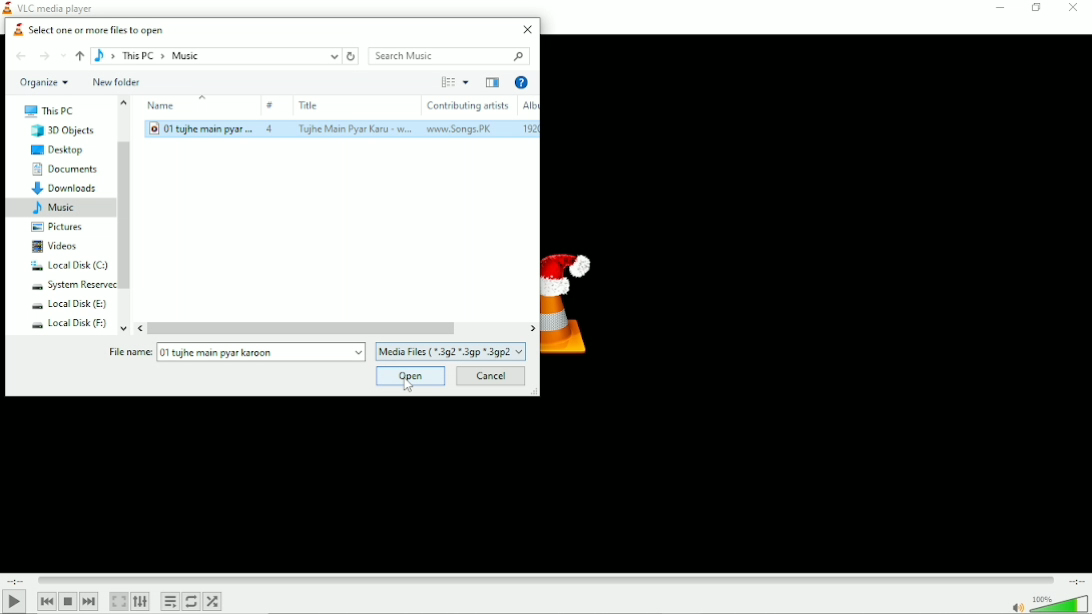 The image size is (1092, 614). I want to click on Organize, so click(42, 84).